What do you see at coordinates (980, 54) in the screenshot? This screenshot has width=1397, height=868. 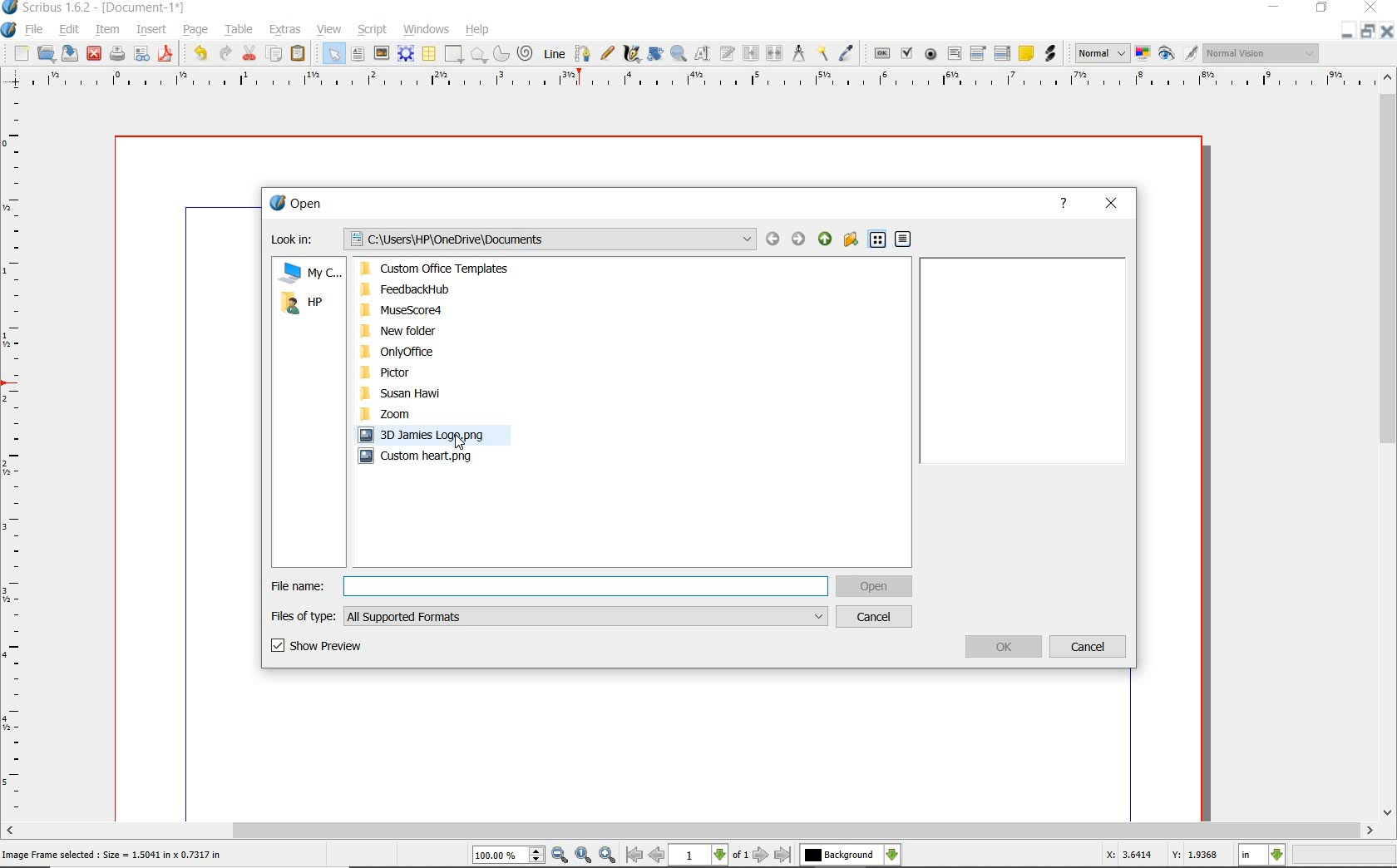 I see `pdf combo box` at bounding box center [980, 54].